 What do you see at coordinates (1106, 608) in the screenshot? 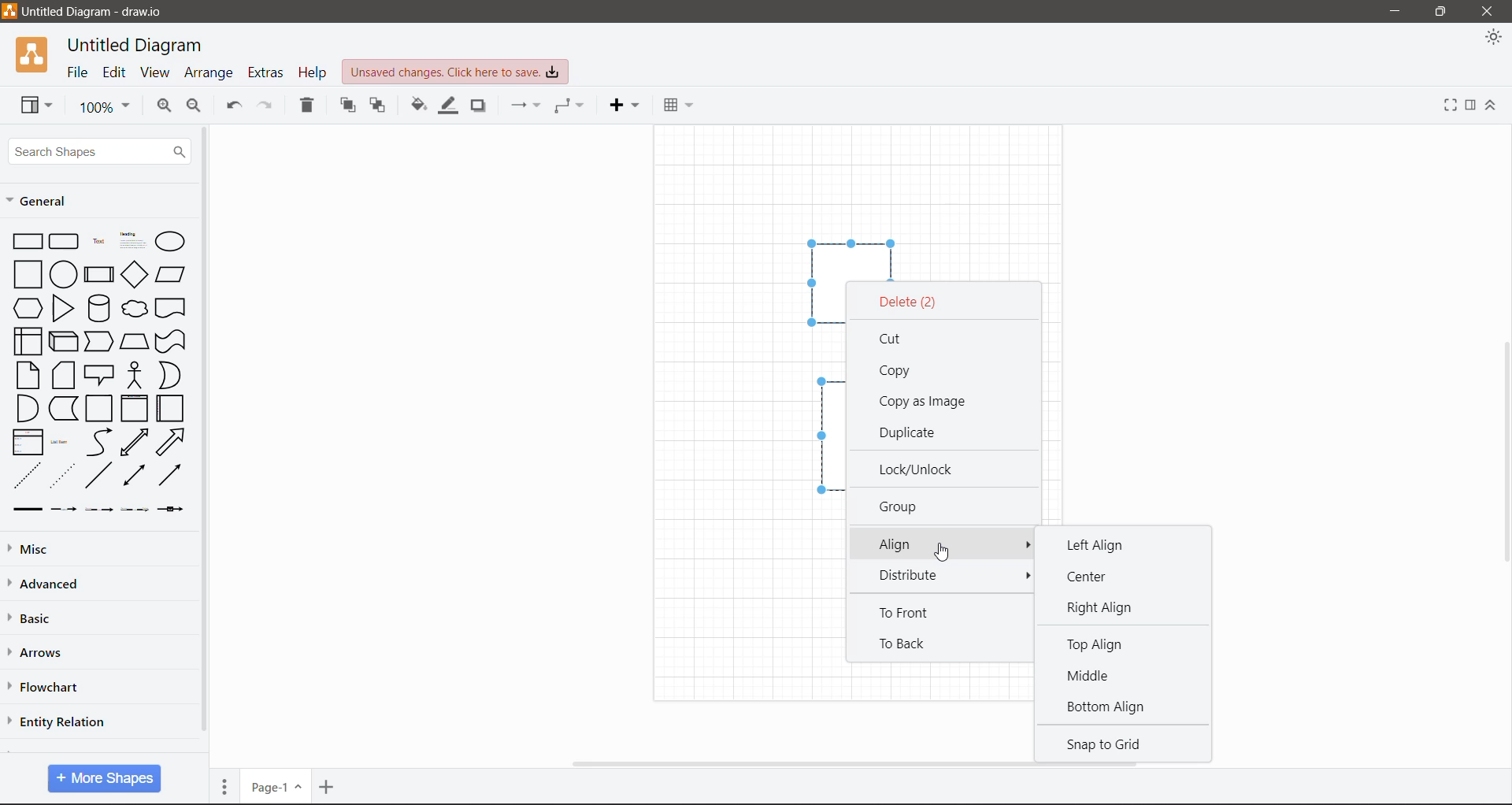
I see `Right Align` at bounding box center [1106, 608].